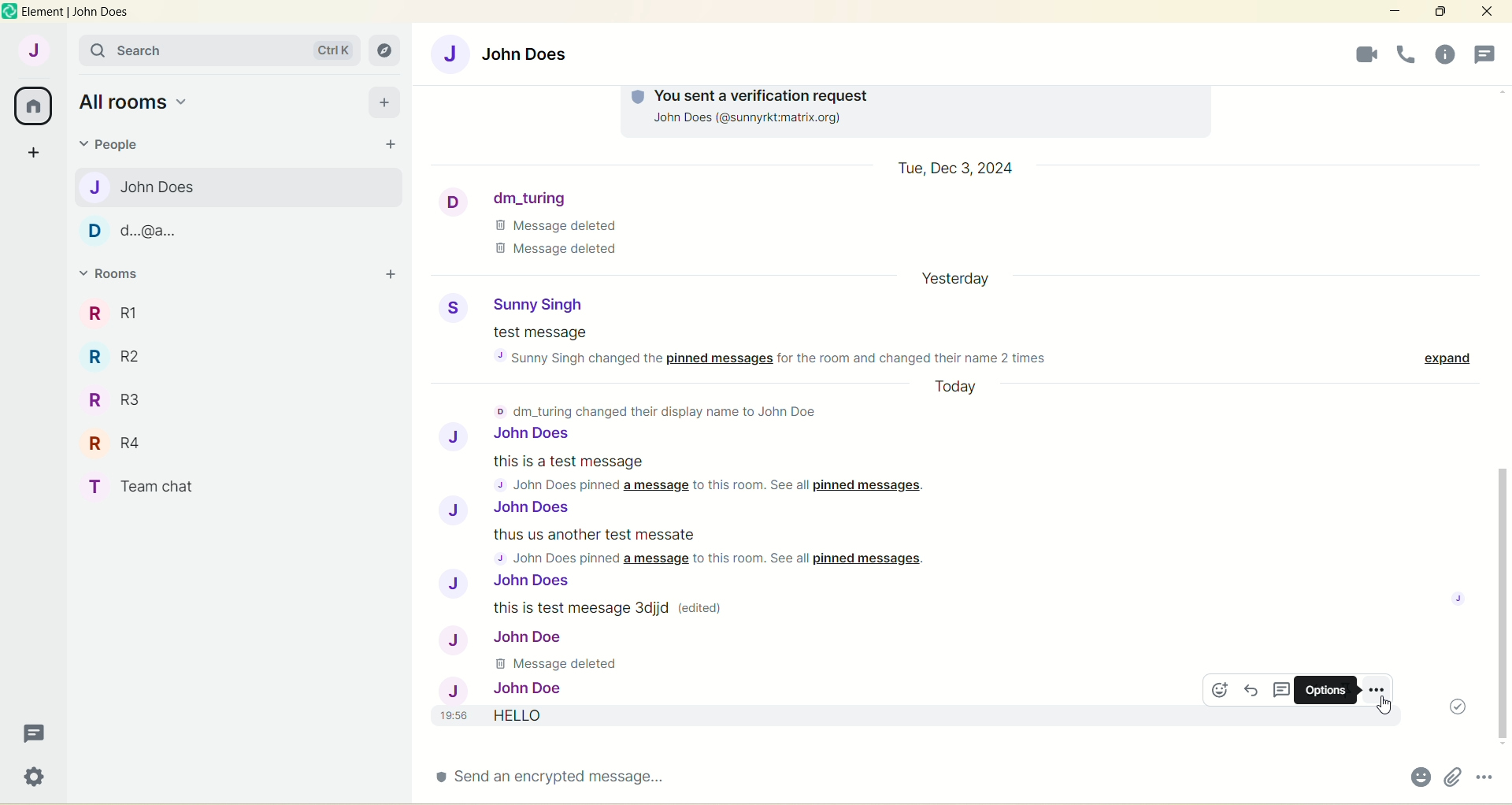 This screenshot has width=1512, height=805. I want to click on start chat, so click(389, 146).